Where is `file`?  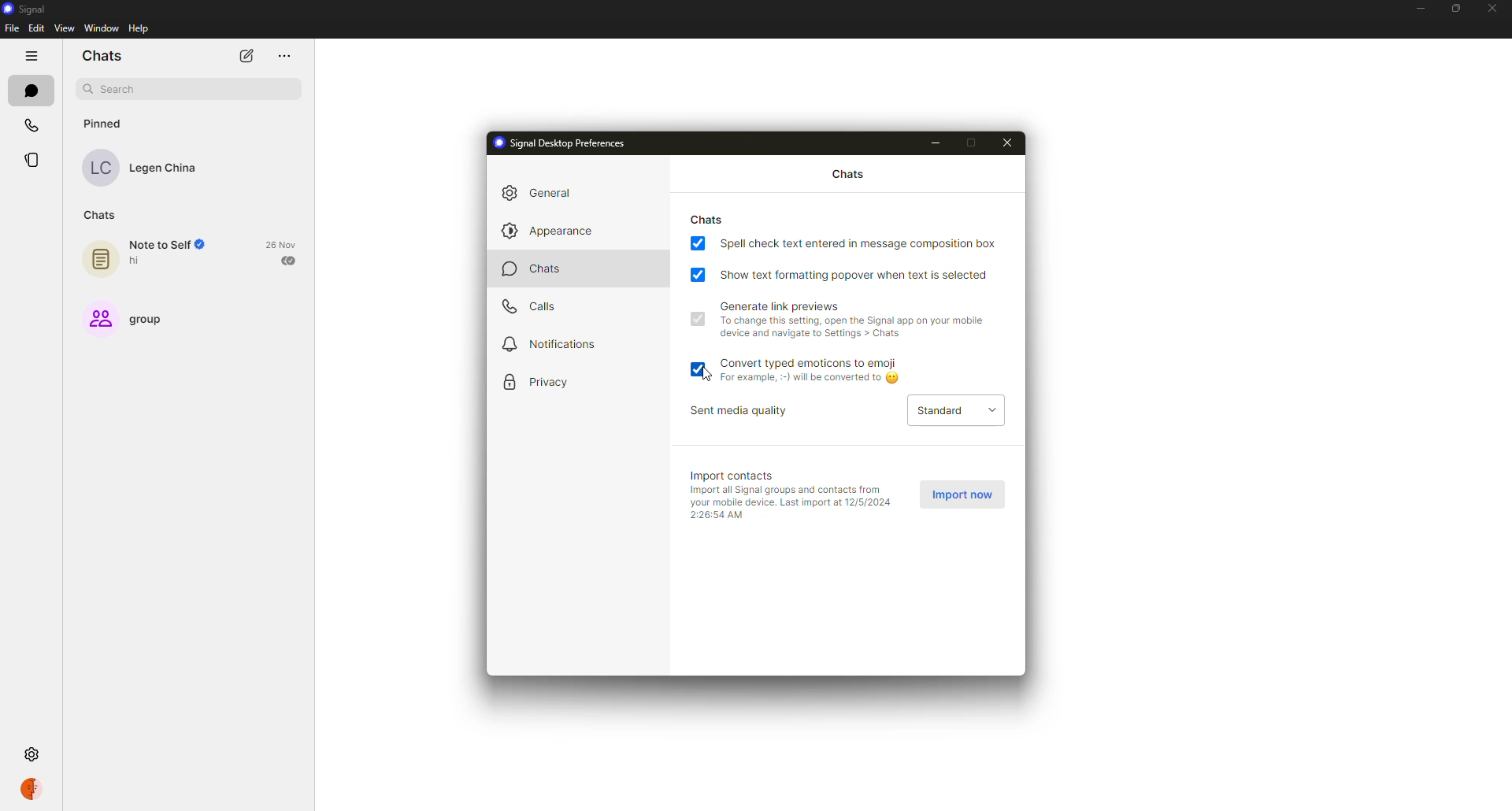 file is located at coordinates (12, 28).